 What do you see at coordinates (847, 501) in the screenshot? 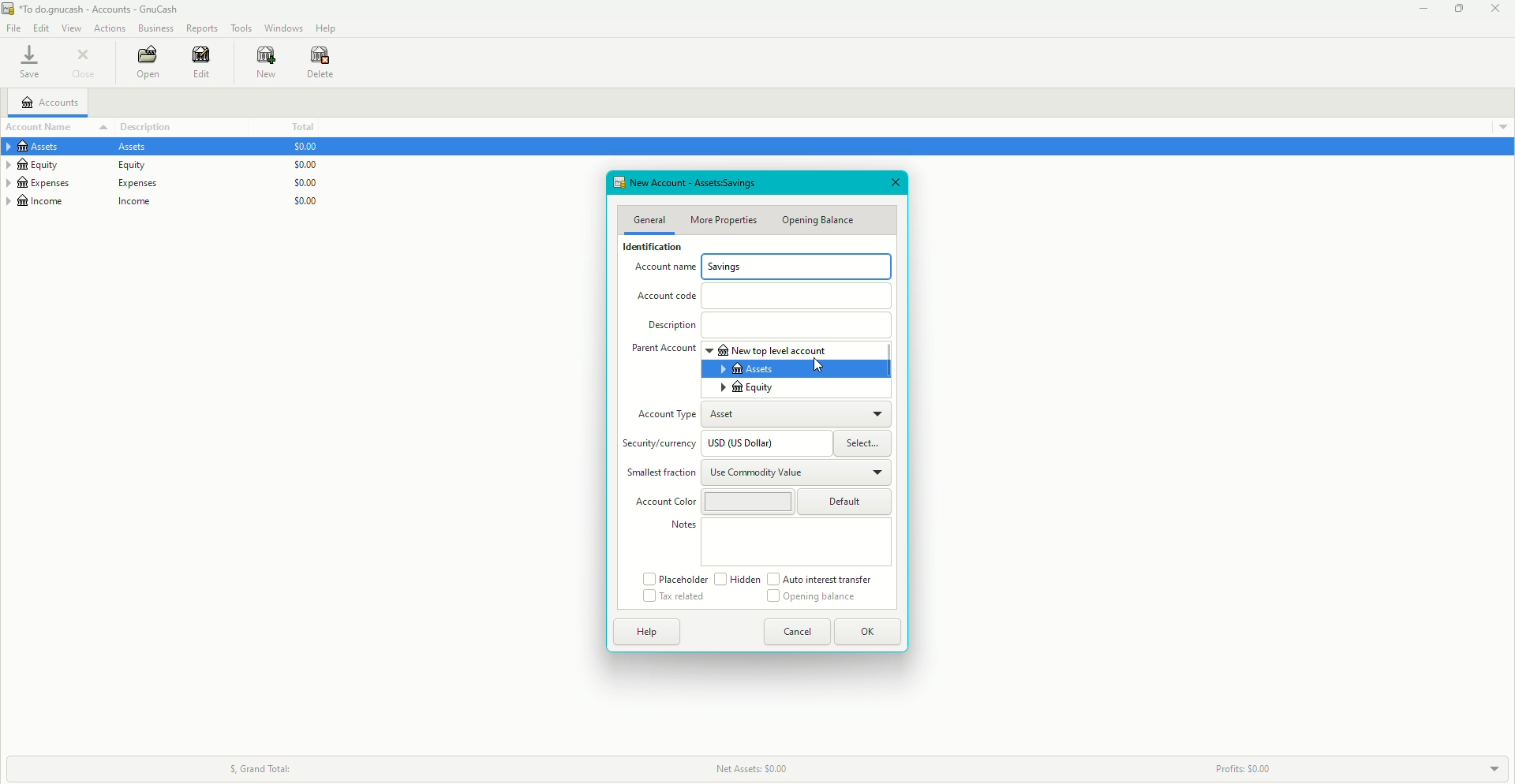
I see `Default` at bounding box center [847, 501].